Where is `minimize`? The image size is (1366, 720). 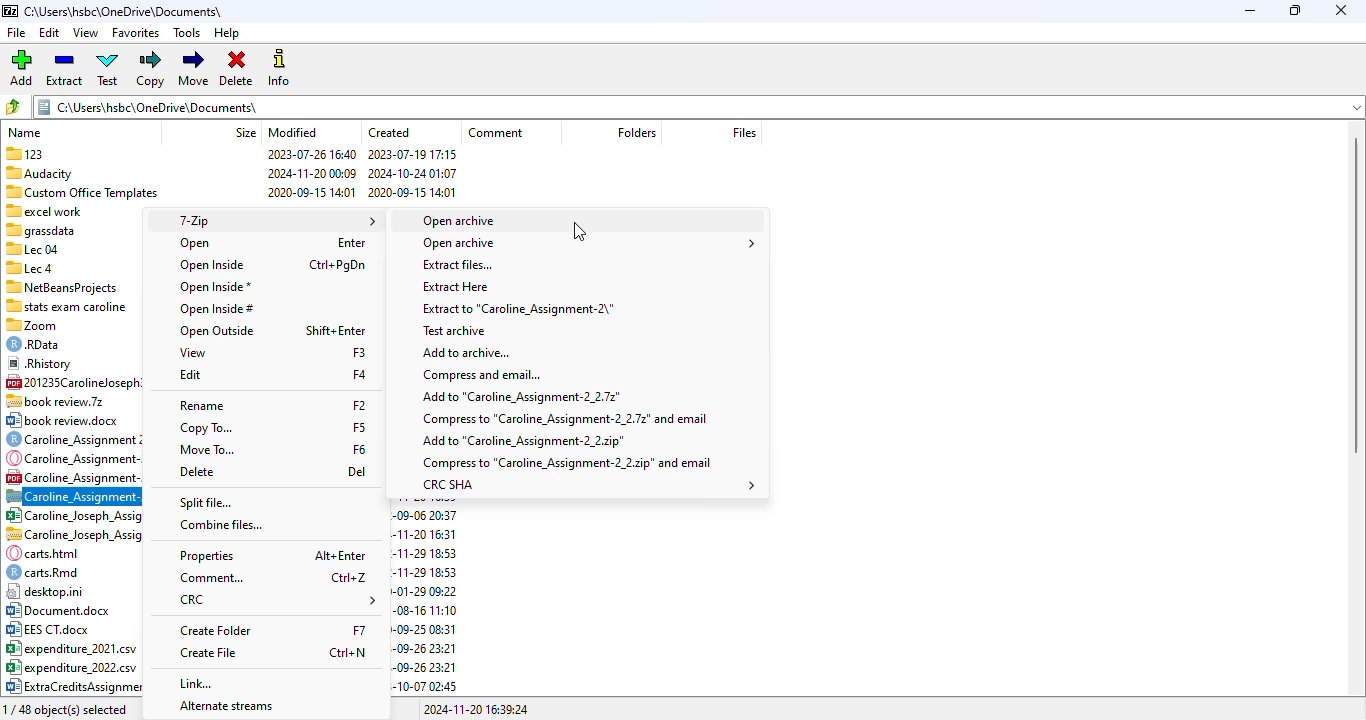
minimize is located at coordinates (1250, 11).